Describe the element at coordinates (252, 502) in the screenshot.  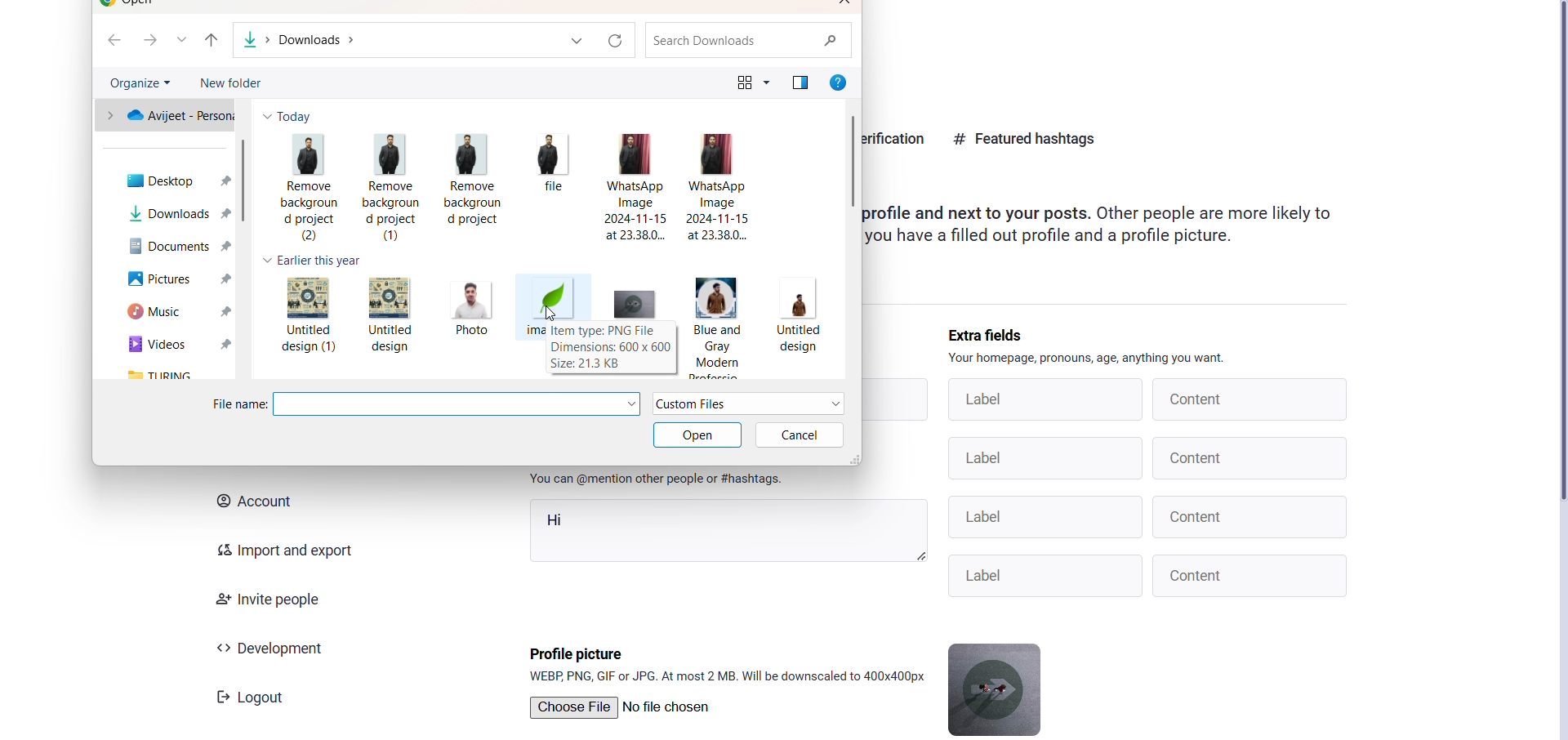
I see `account` at that location.